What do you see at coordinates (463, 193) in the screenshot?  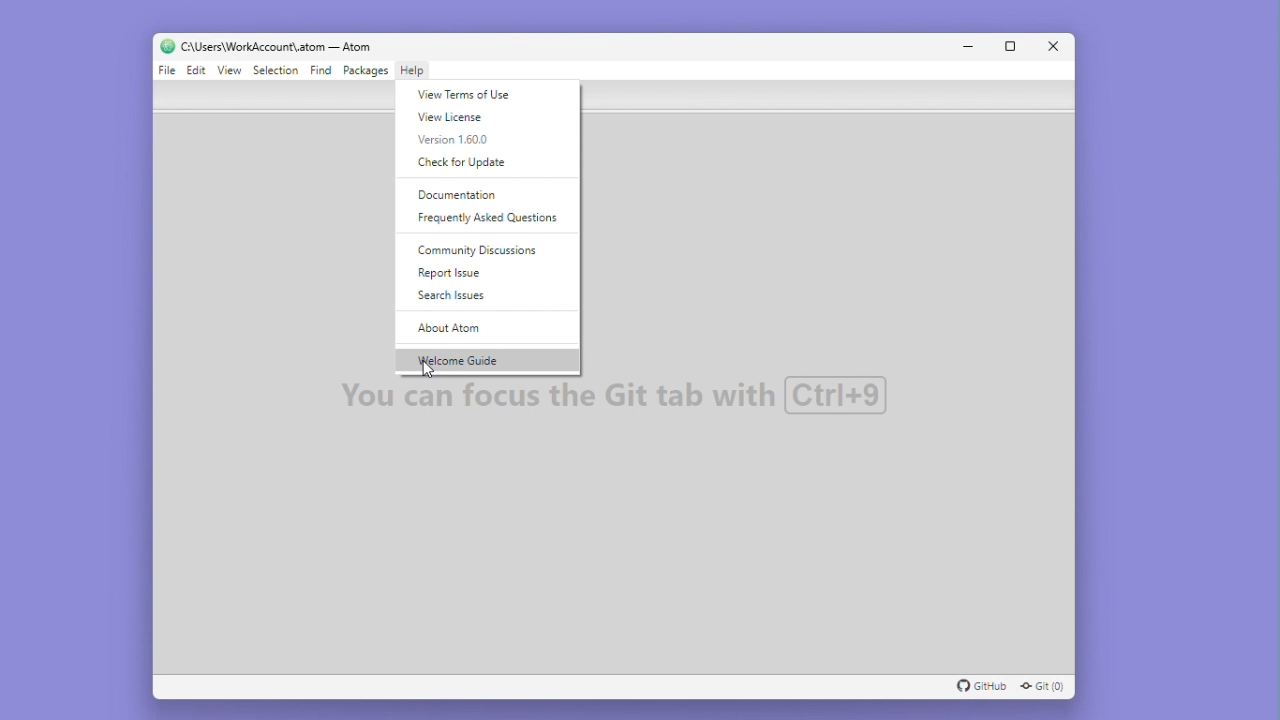 I see `Documentation` at bounding box center [463, 193].